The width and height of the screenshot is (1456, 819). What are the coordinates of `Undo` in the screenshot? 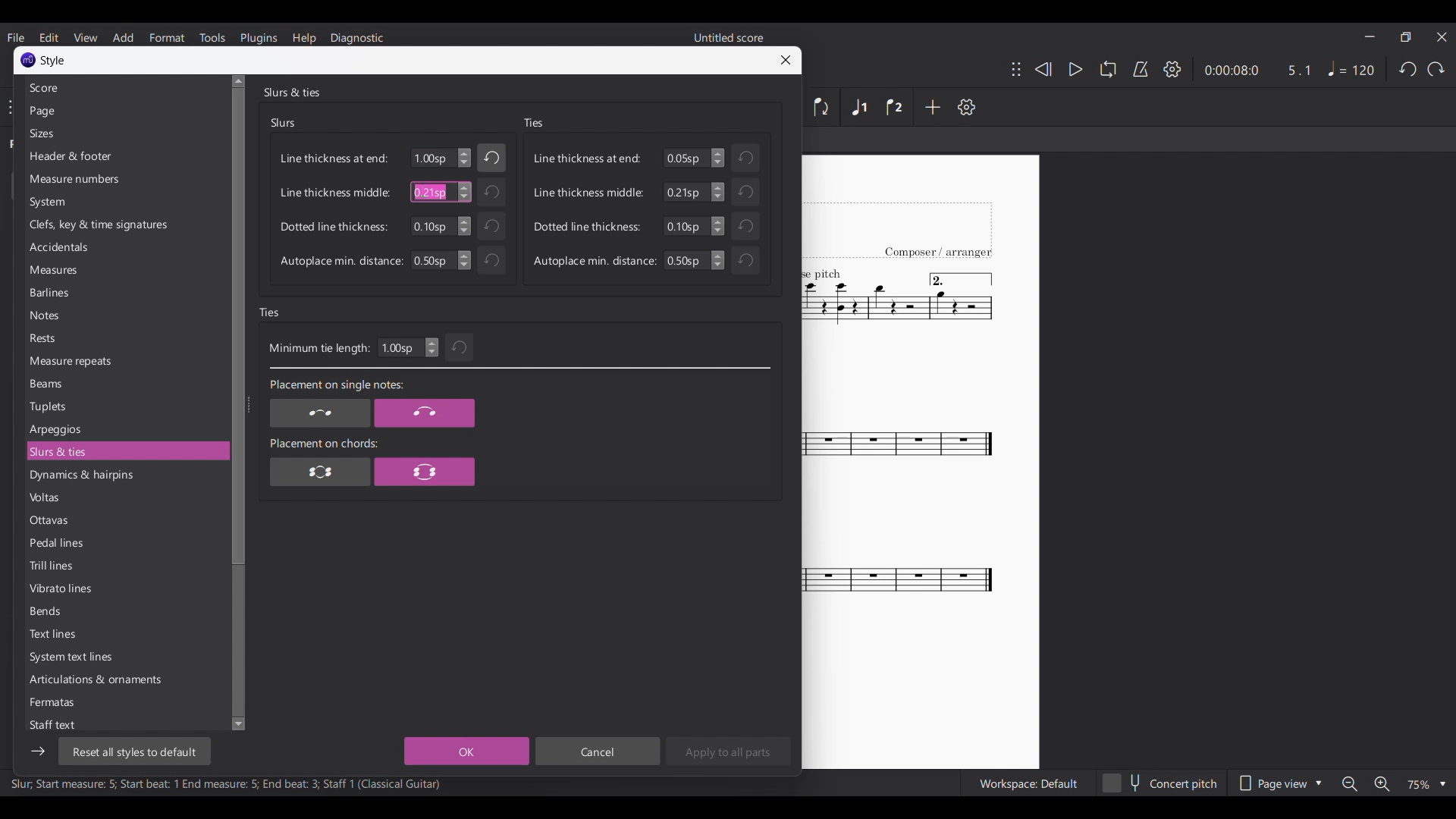 It's located at (745, 226).